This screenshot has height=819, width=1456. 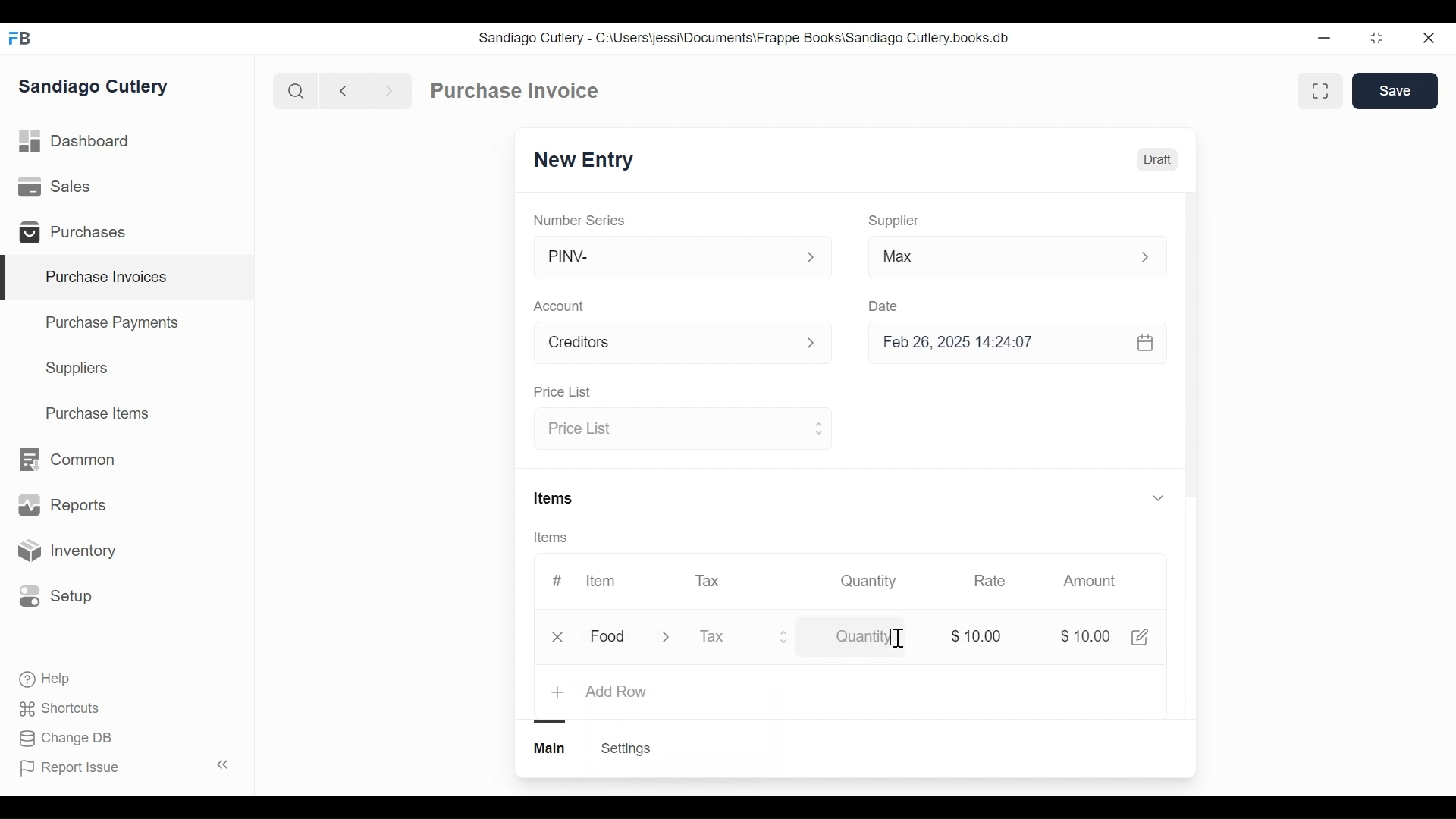 What do you see at coordinates (820, 344) in the screenshot?
I see `Expand` at bounding box center [820, 344].